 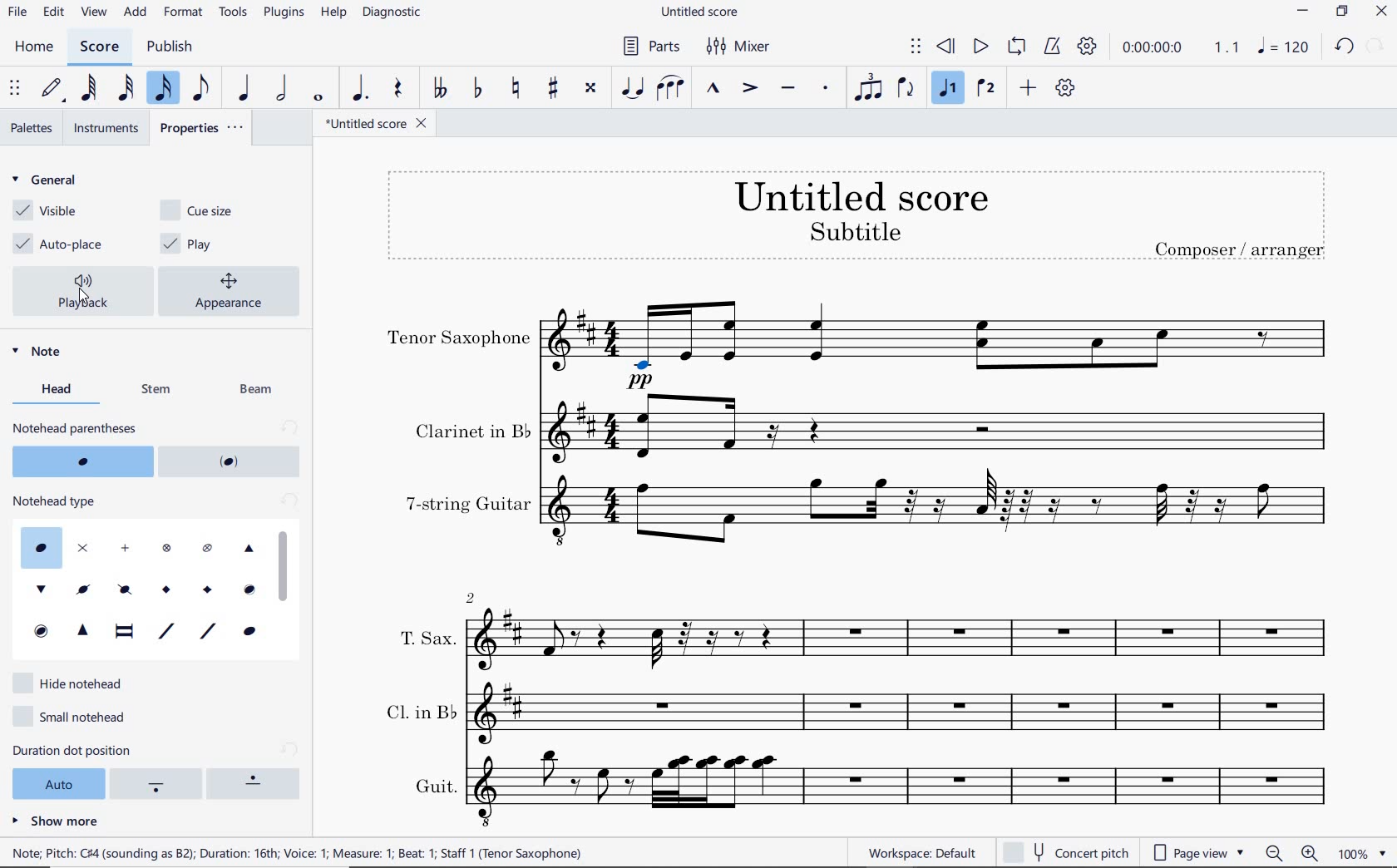 I want to click on MARCATO, so click(x=713, y=90).